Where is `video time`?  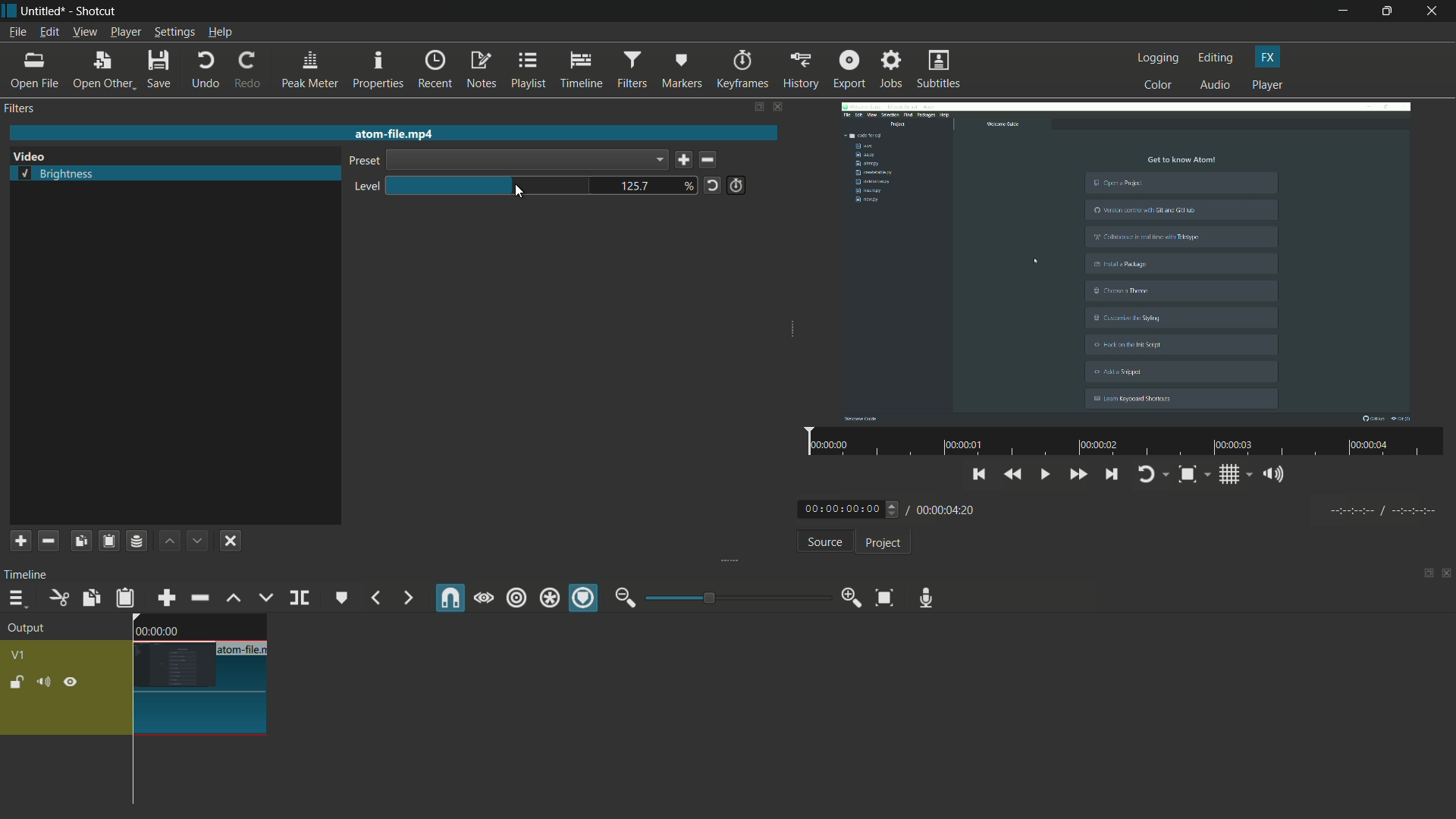
video time is located at coordinates (1122, 443).